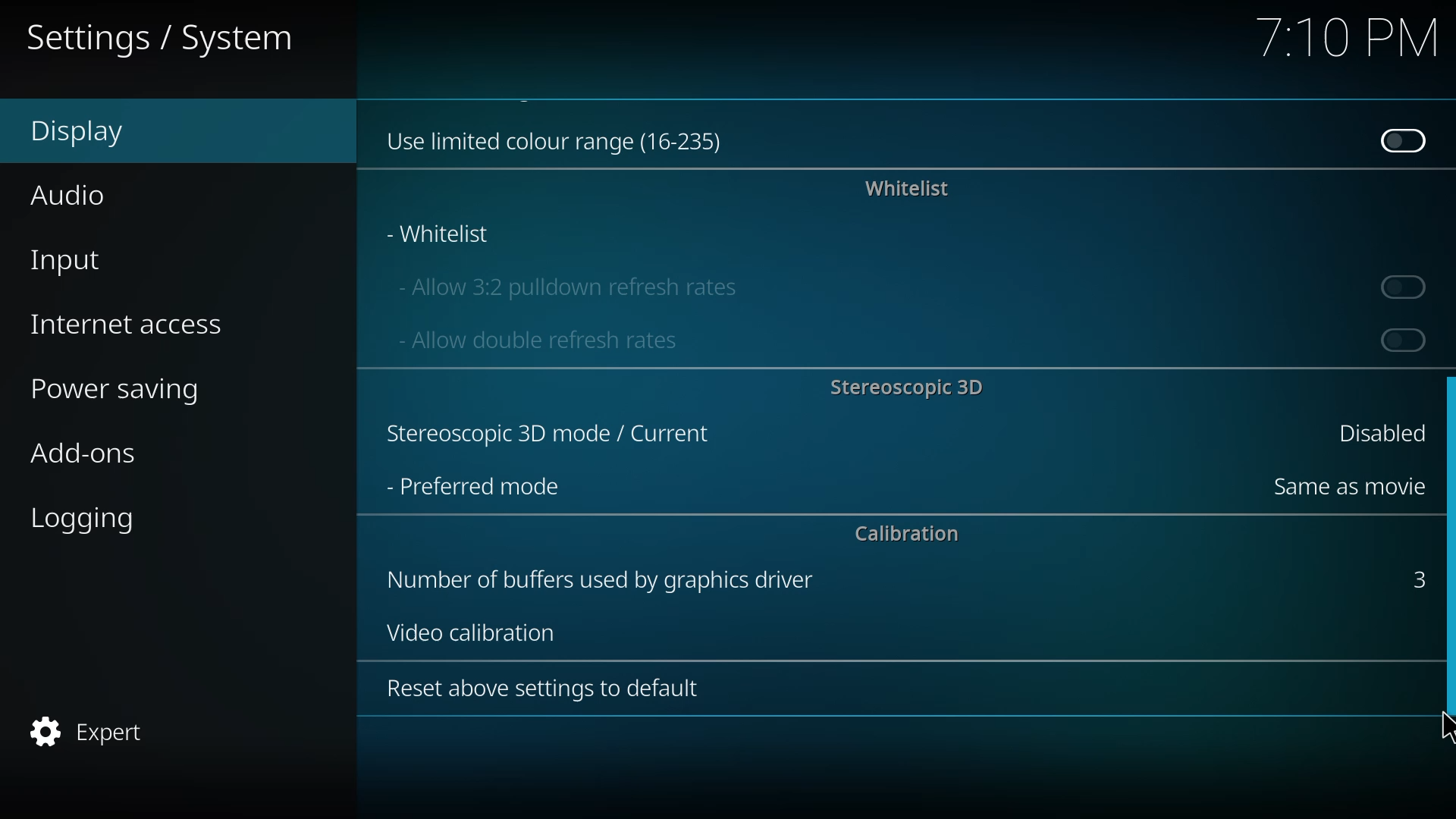  Describe the element at coordinates (1400, 140) in the screenshot. I see `disabled` at that location.